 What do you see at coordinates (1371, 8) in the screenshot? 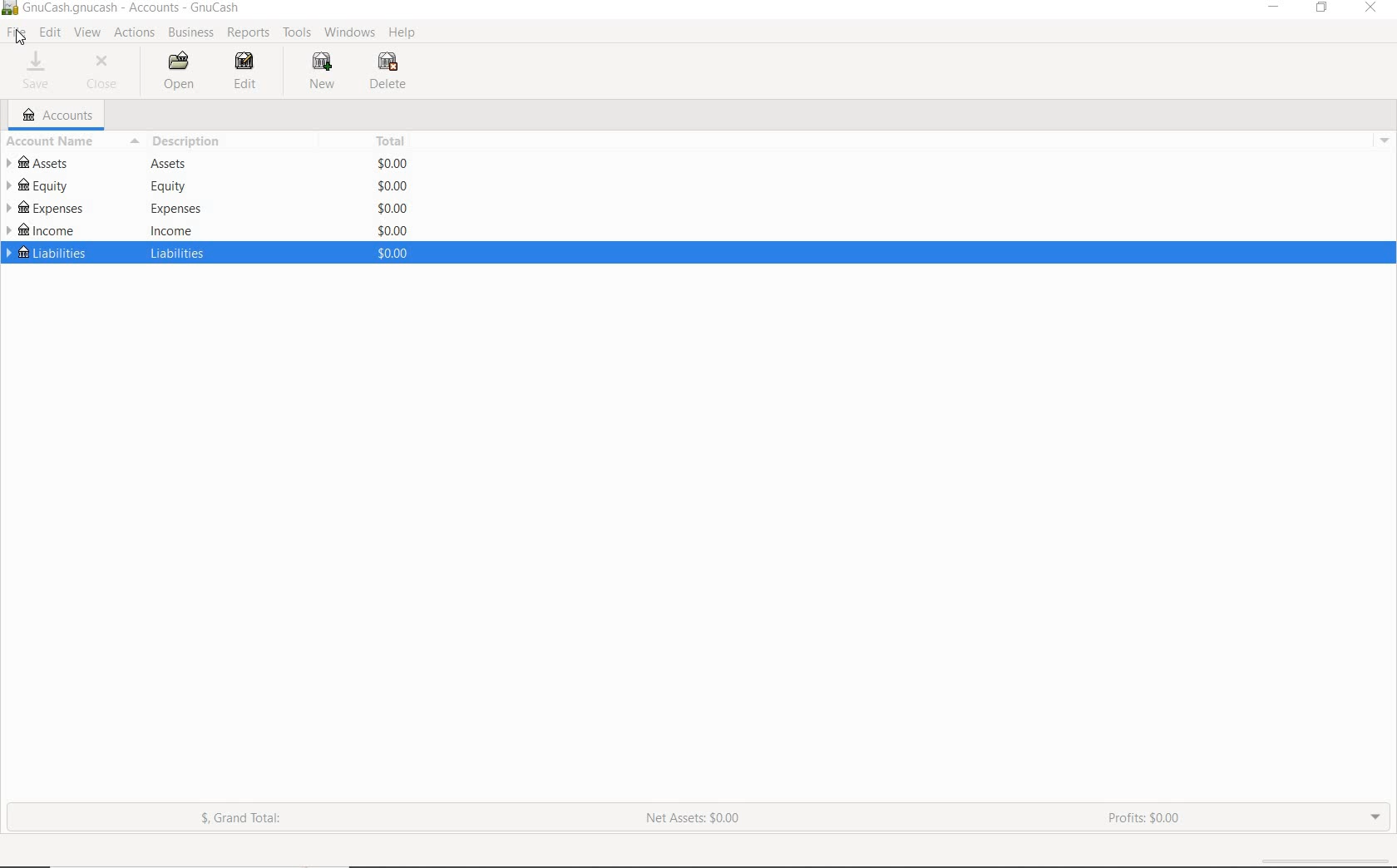
I see `CLOSE` at bounding box center [1371, 8].